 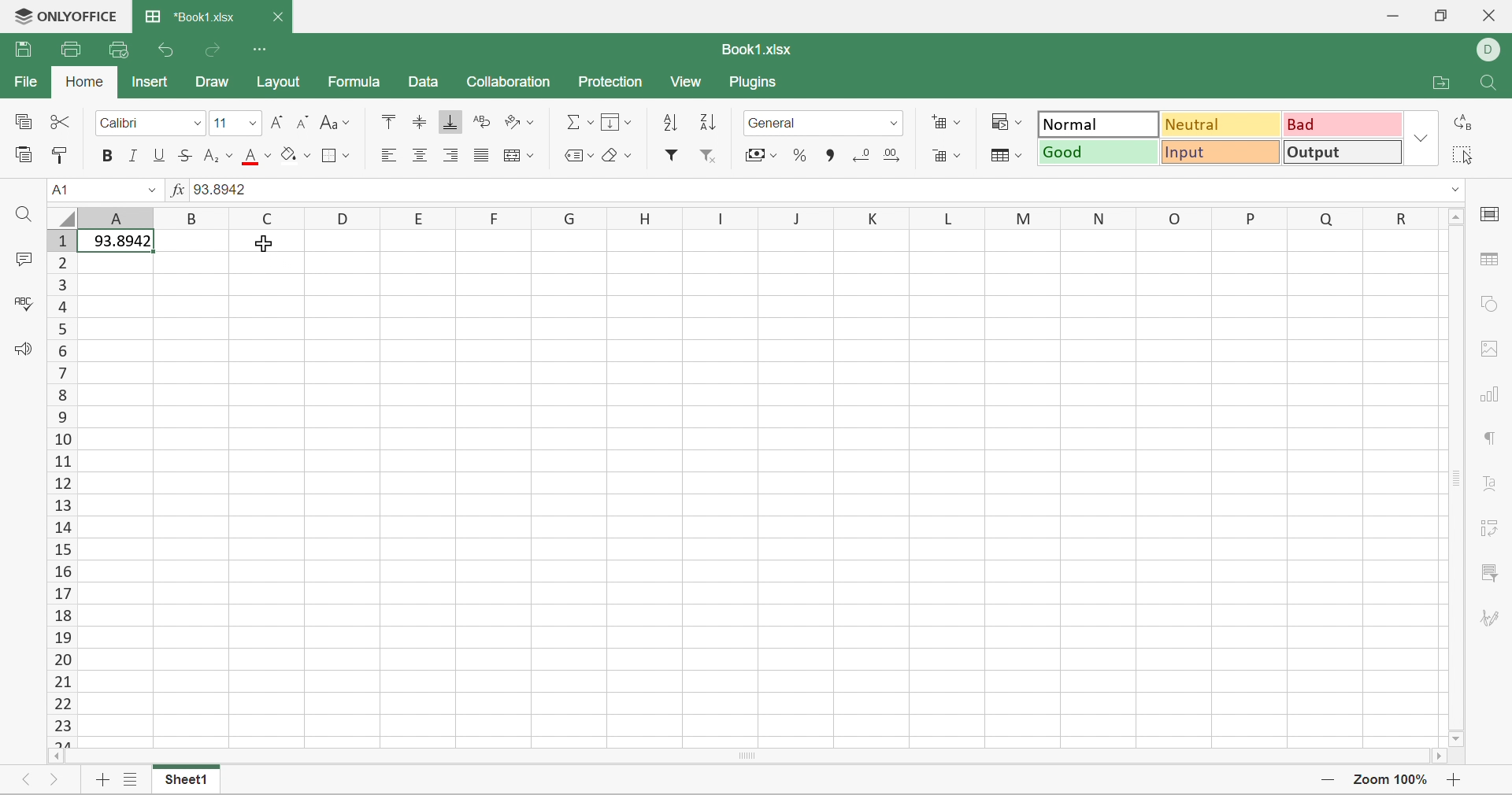 What do you see at coordinates (827, 154) in the screenshot?
I see `Comma style` at bounding box center [827, 154].